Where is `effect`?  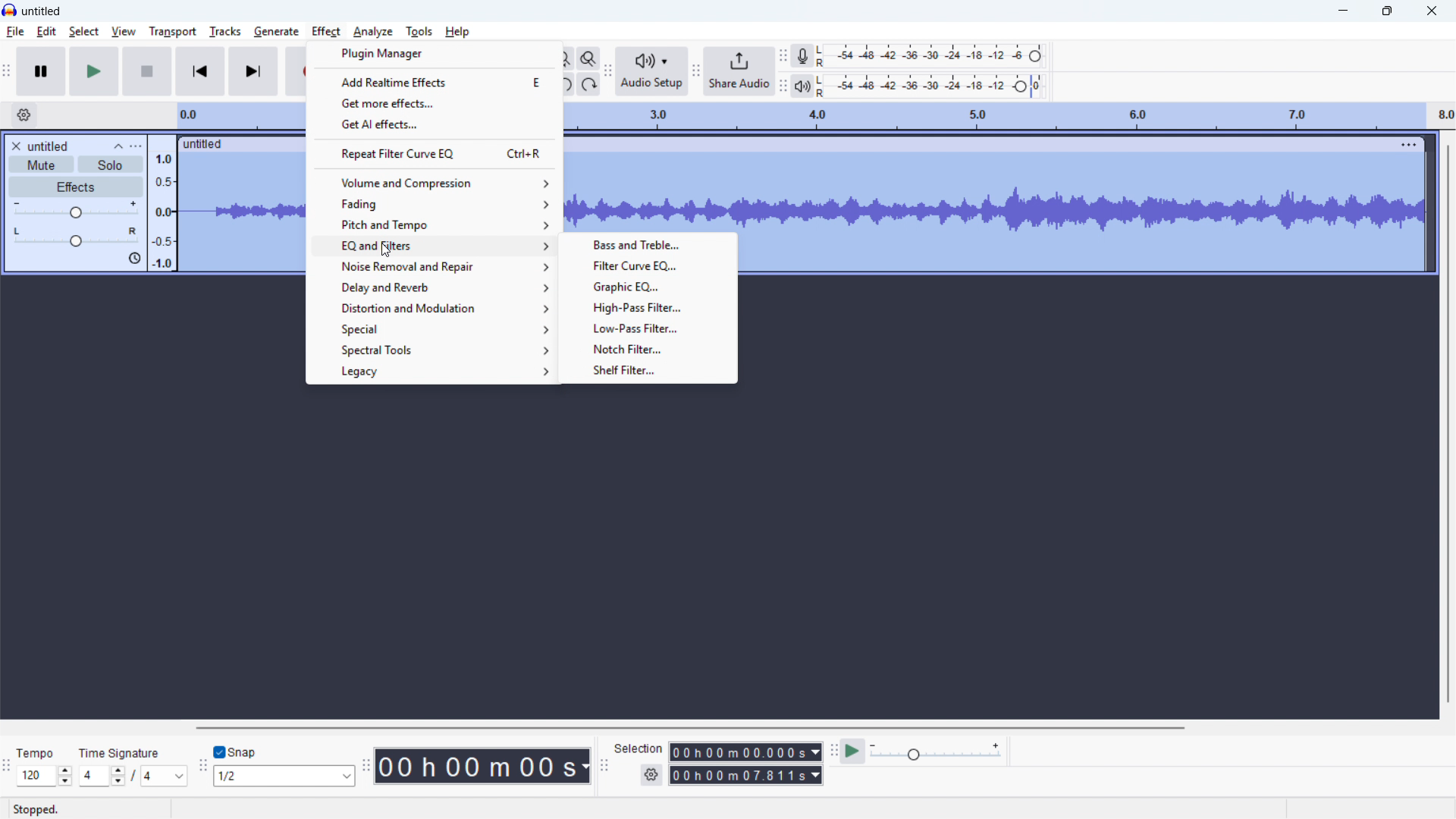 effect is located at coordinates (327, 31).